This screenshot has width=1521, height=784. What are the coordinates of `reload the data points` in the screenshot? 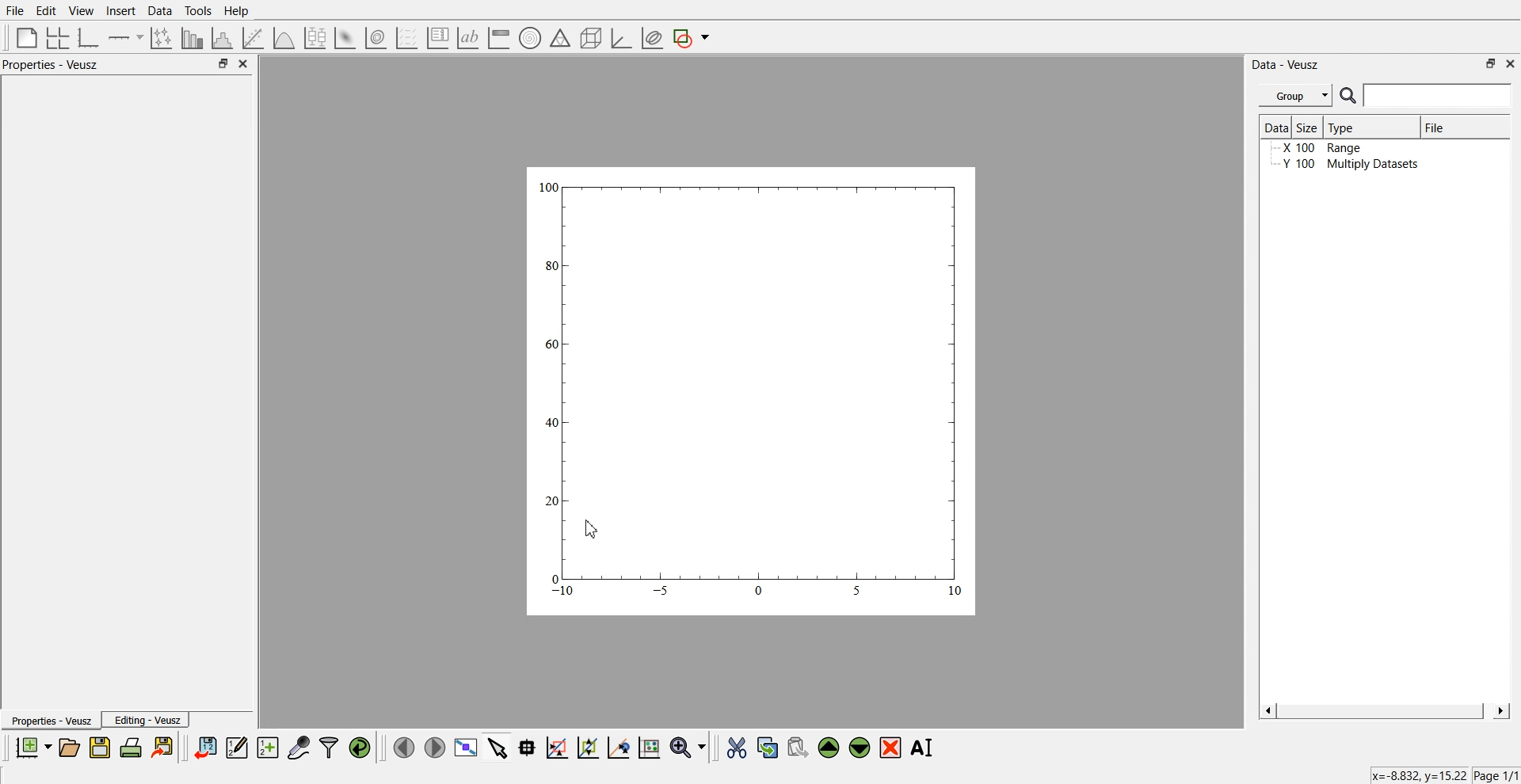 It's located at (360, 748).